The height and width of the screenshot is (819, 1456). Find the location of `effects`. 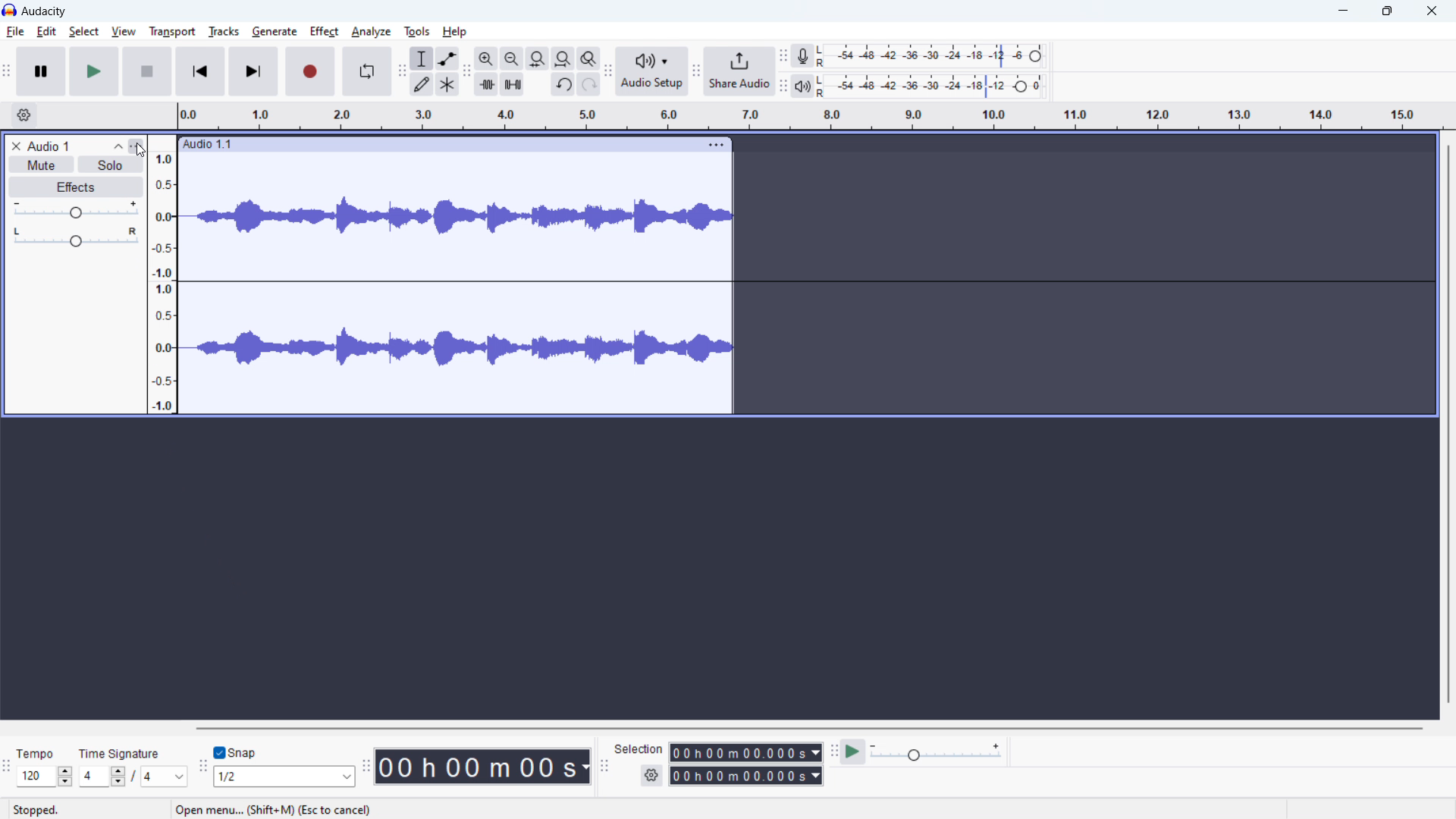

effects is located at coordinates (75, 187).